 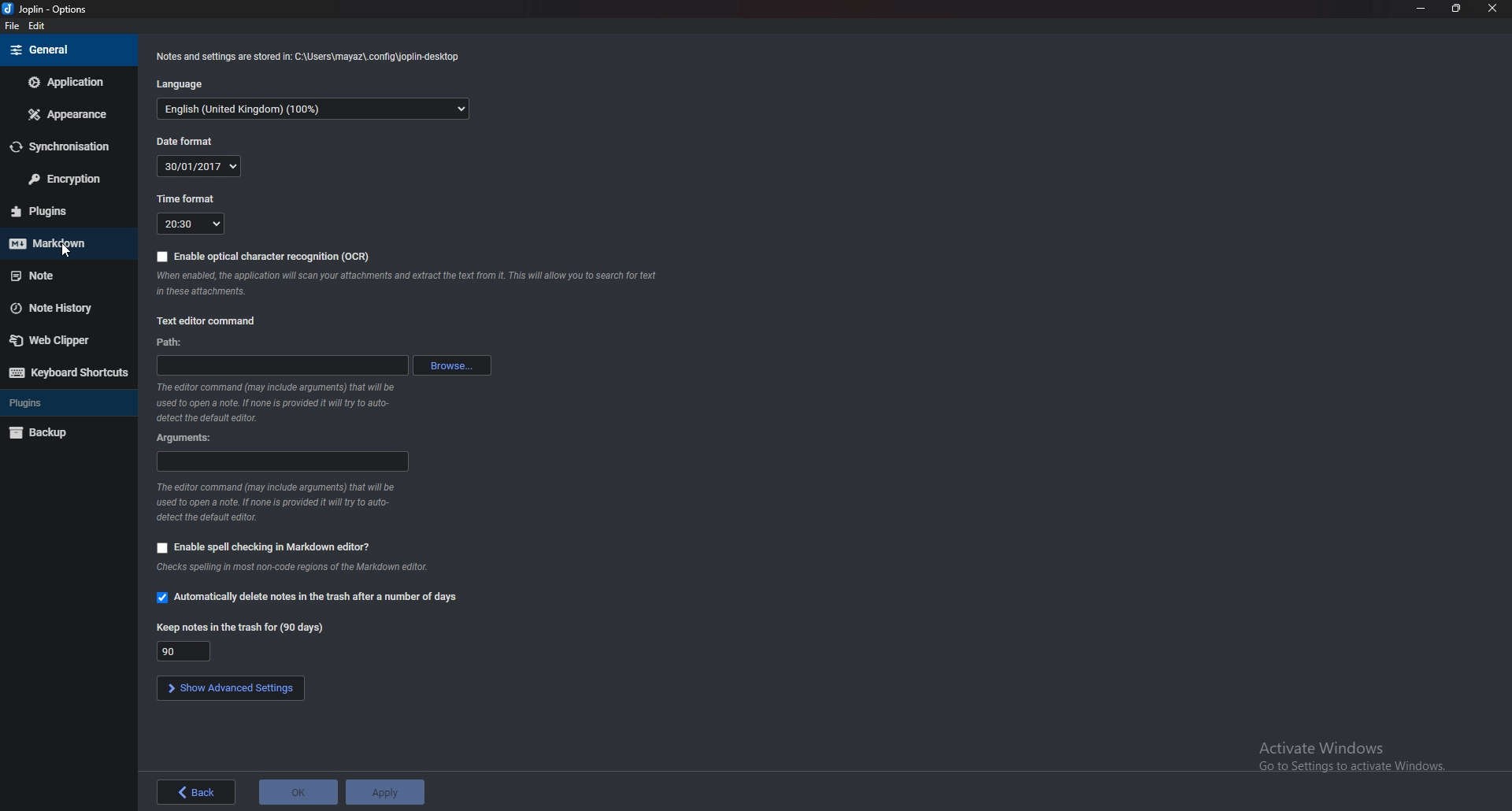 I want to click on browse, so click(x=450, y=366).